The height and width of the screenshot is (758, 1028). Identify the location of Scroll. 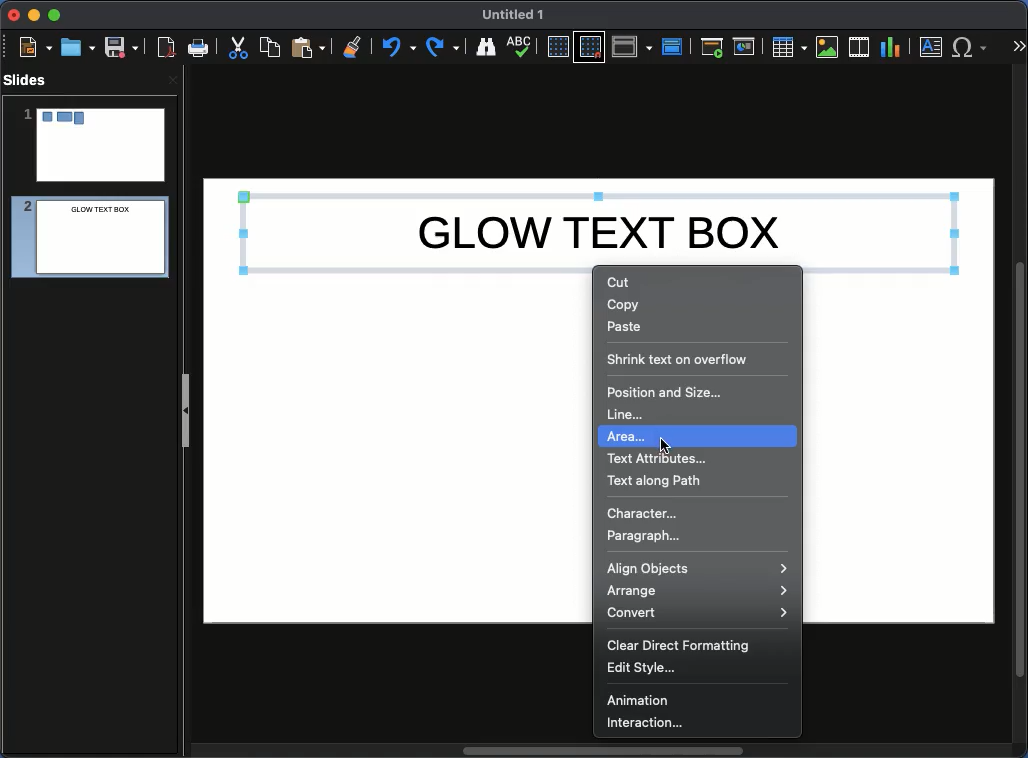
(1022, 413).